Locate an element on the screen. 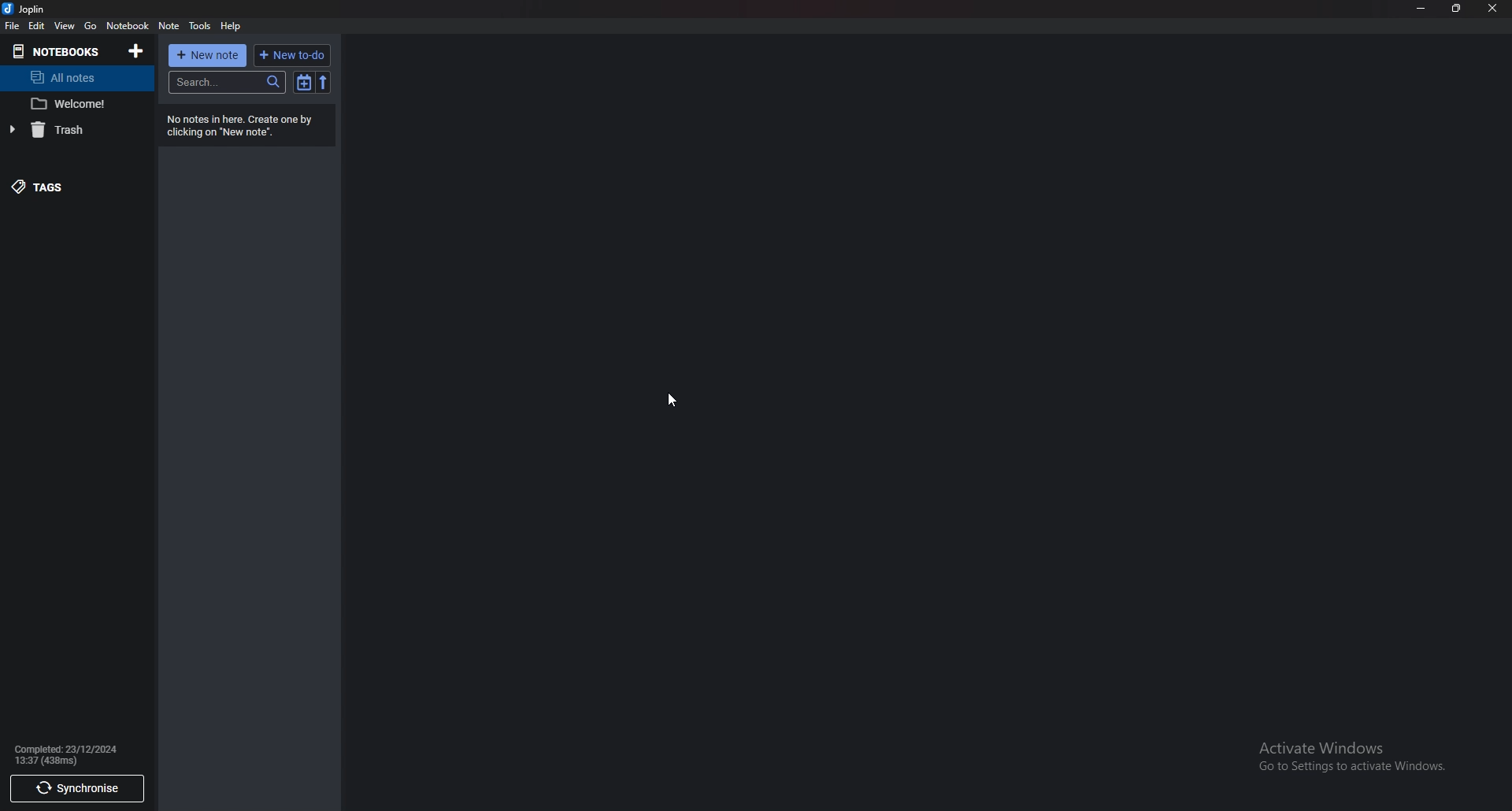 The image size is (1512, 811). go is located at coordinates (91, 26).